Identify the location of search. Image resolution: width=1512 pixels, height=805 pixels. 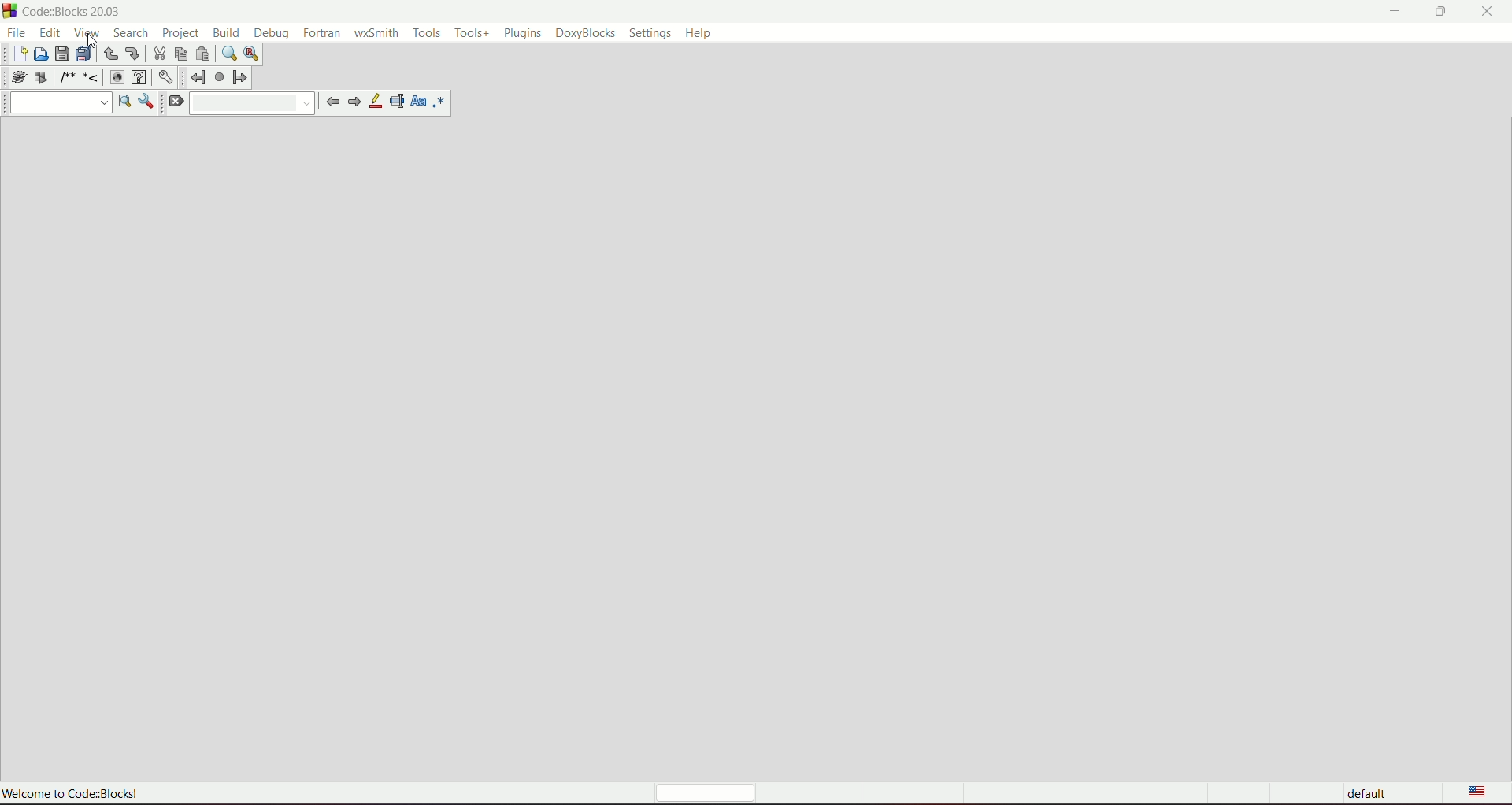
(130, 32).